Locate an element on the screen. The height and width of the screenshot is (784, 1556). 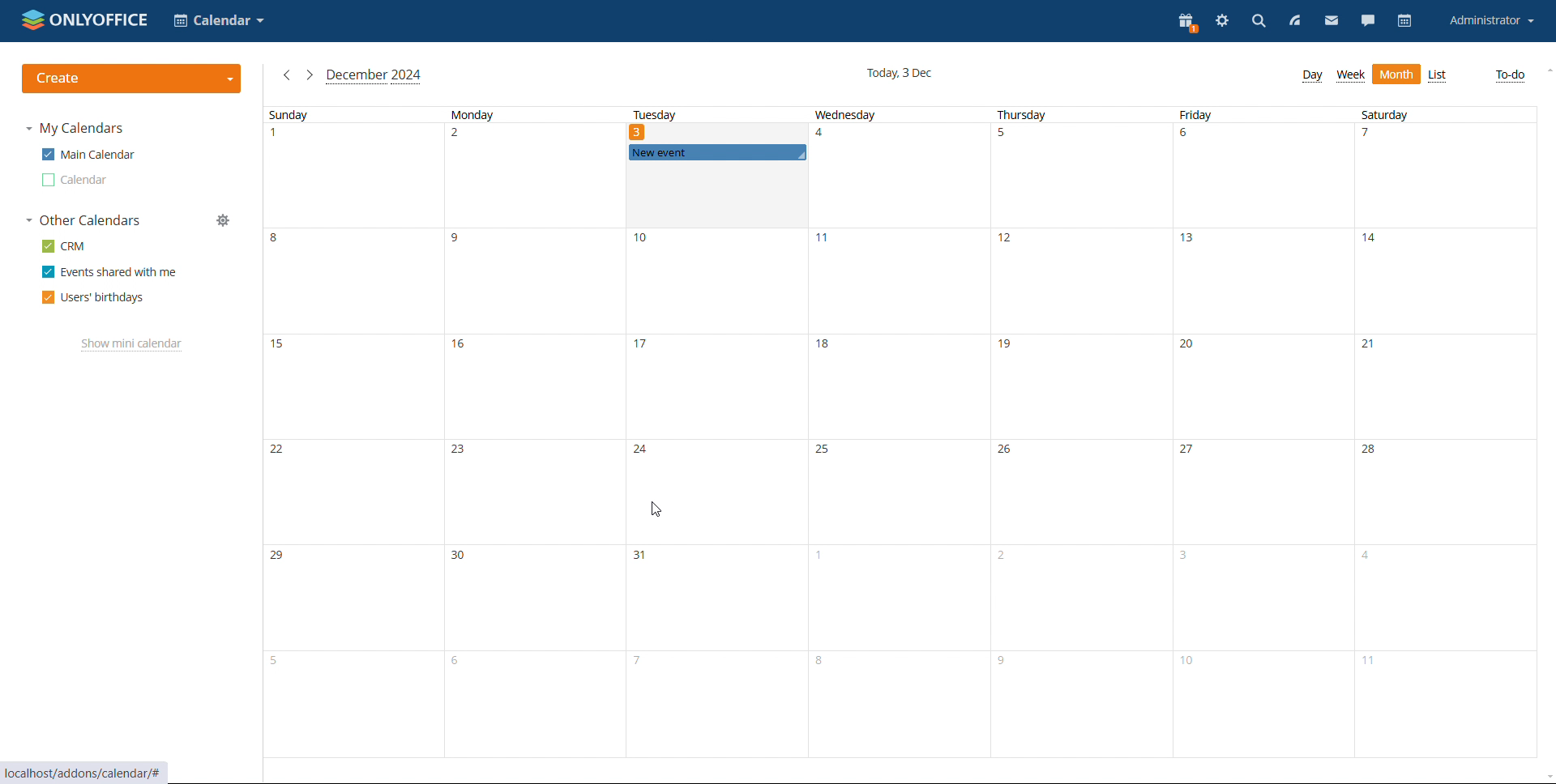
account is located at coordinates (1491, 21).